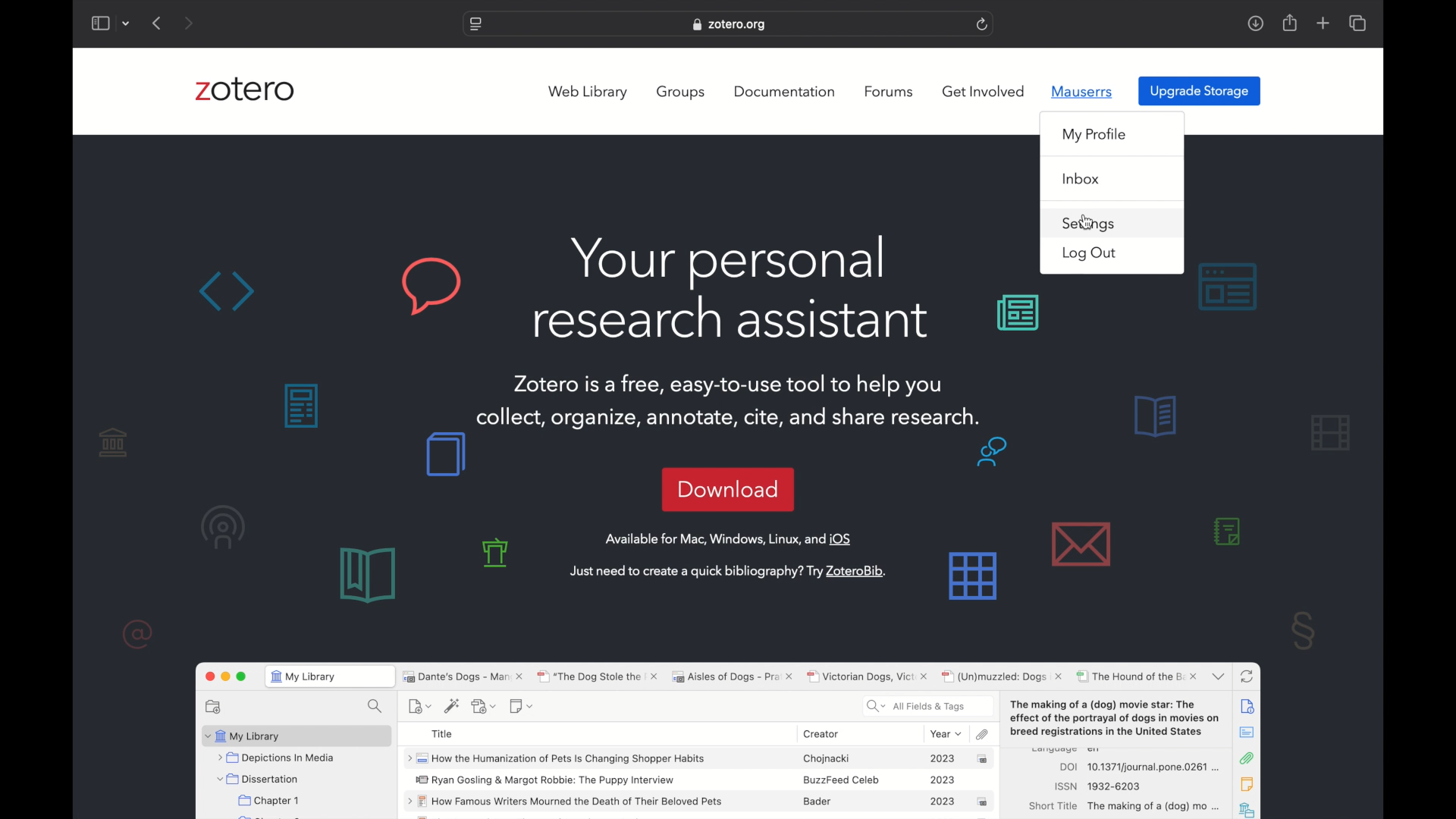 The image size is (1456, 819). What do you see at coordinates (730, 572) in the screenshot?
I see `just need to create a quick bibliography? try zoterobib` at bounding box center [730, 572].